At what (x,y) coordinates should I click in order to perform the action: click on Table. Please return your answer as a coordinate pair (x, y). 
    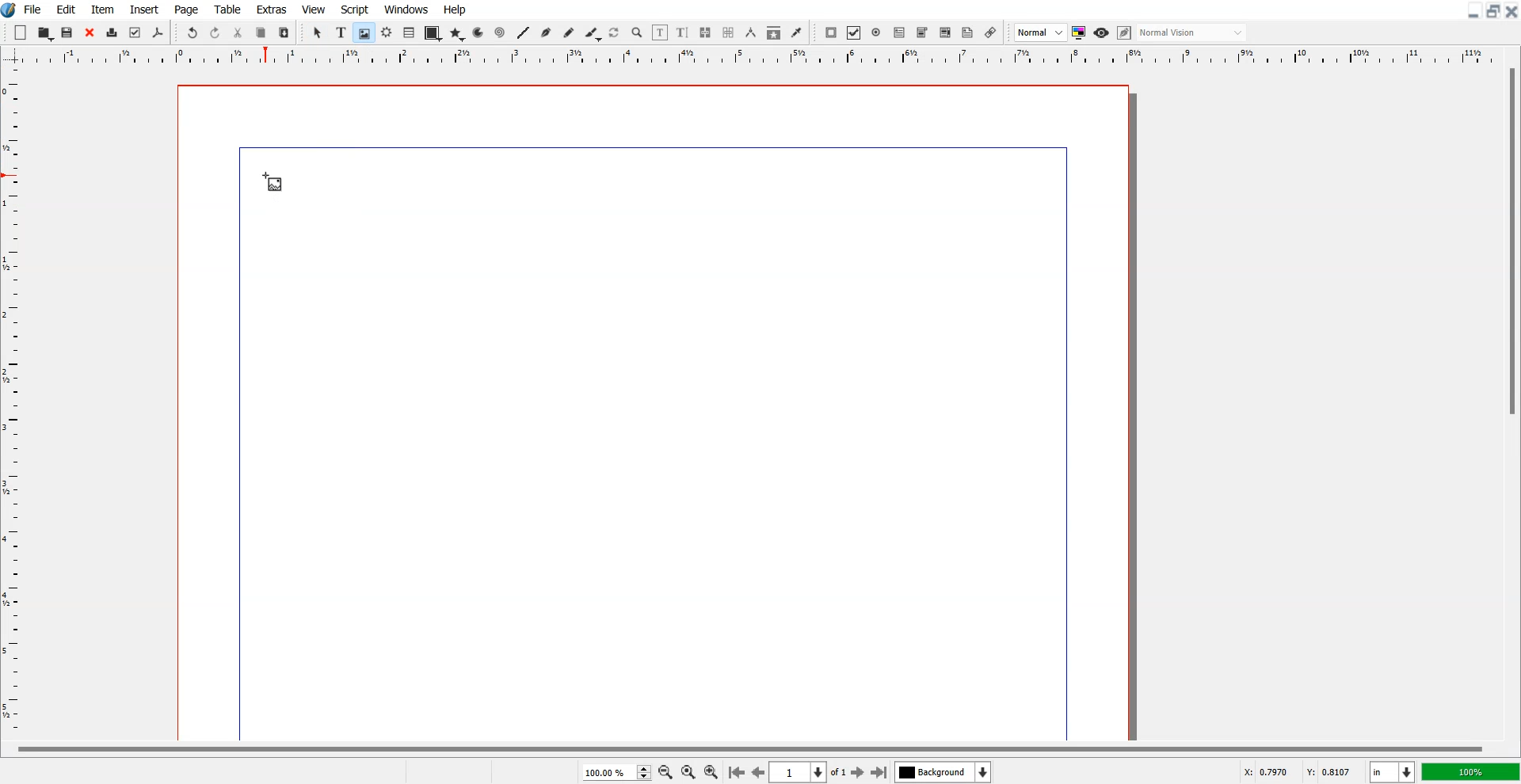
    Looking at the image, I should click on (227, 9).